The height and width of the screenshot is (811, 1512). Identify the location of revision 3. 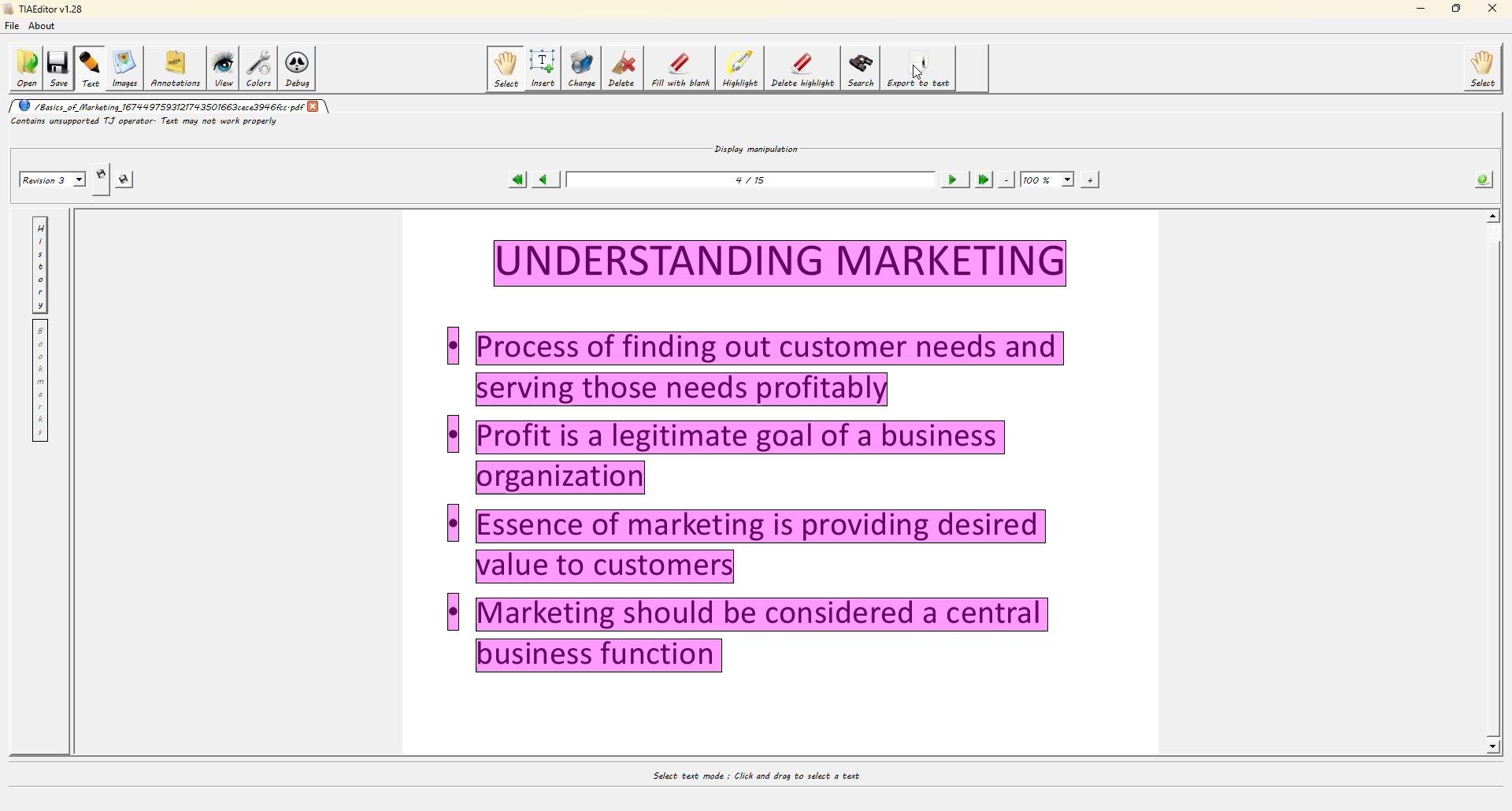
(54, 179).